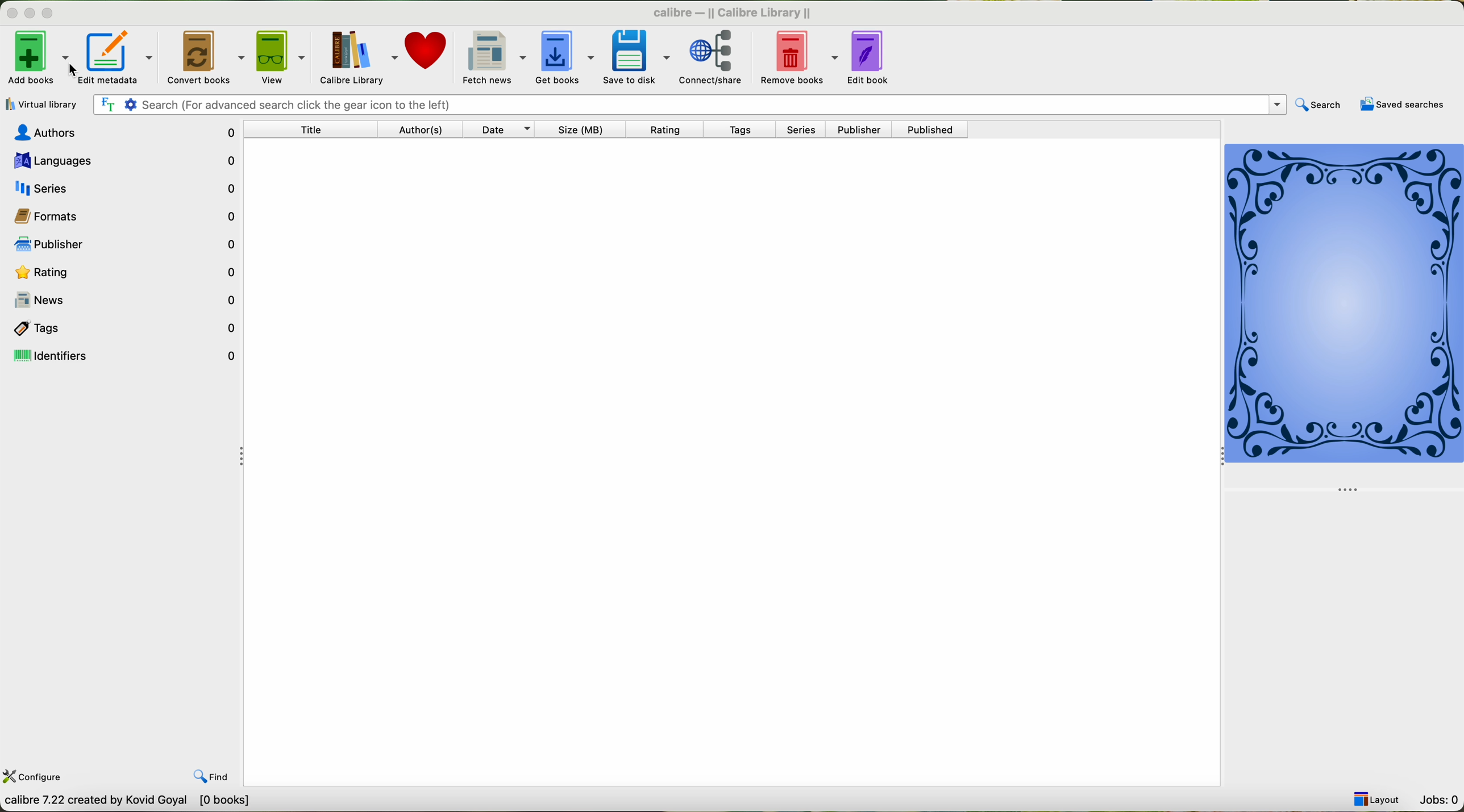 Image resolution: width=1464 pixels, height=812 pixels. I want to click on cursor, so click(80, 70).